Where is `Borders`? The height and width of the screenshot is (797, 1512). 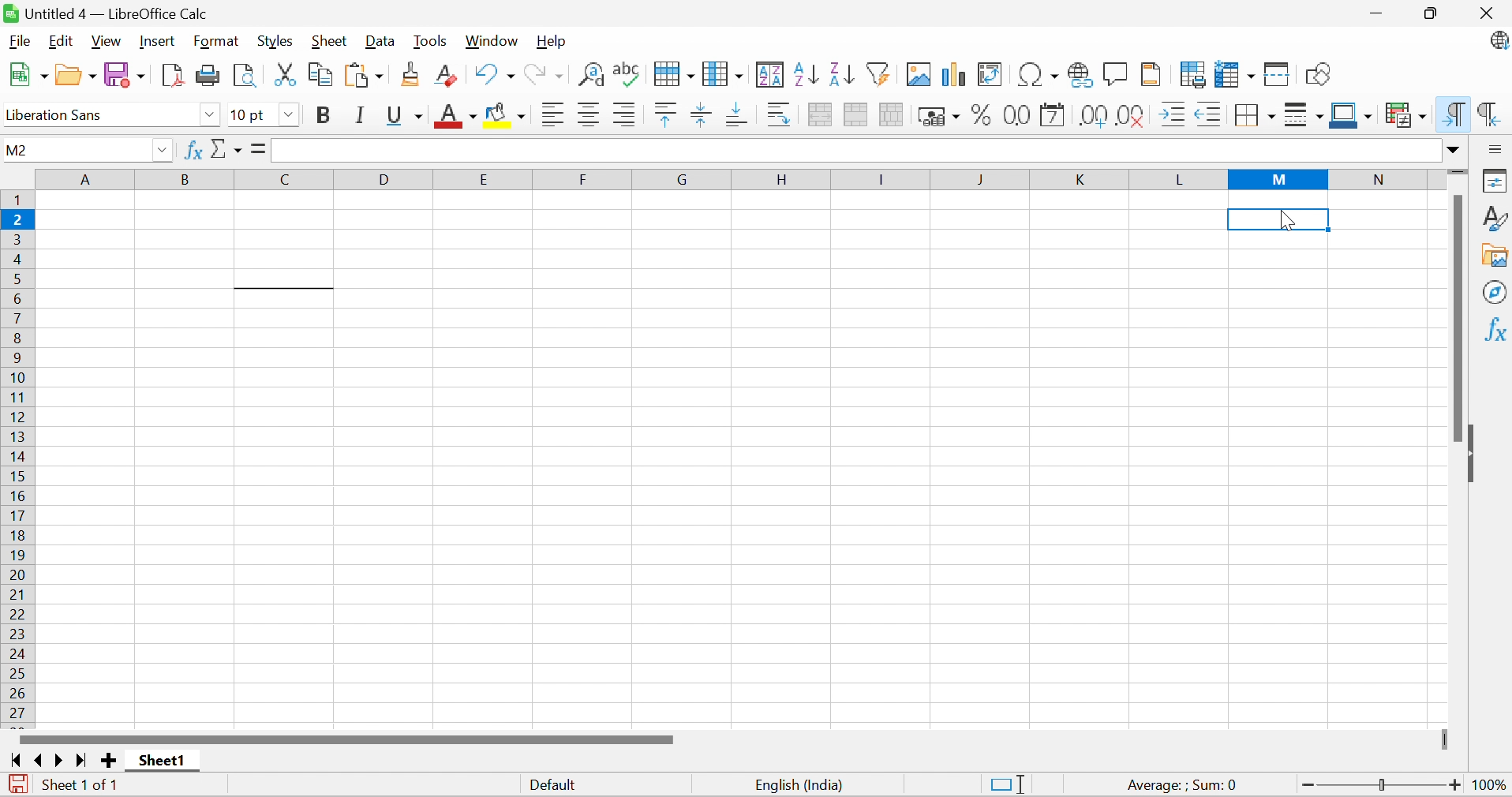 Borders is located at coordinates (1249, 118).